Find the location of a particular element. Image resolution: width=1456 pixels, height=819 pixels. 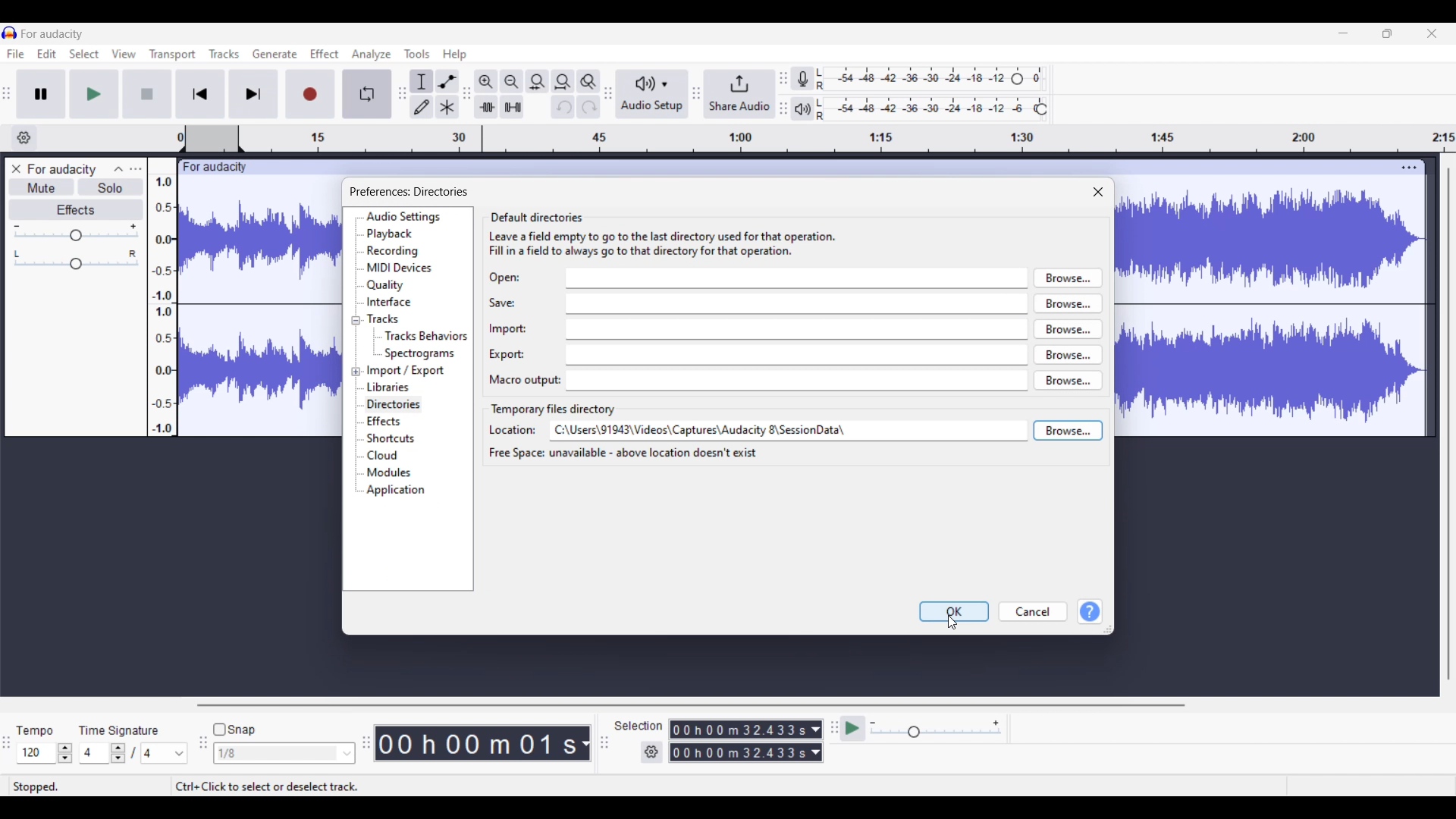

browse is located at coordinates (1068, 429).